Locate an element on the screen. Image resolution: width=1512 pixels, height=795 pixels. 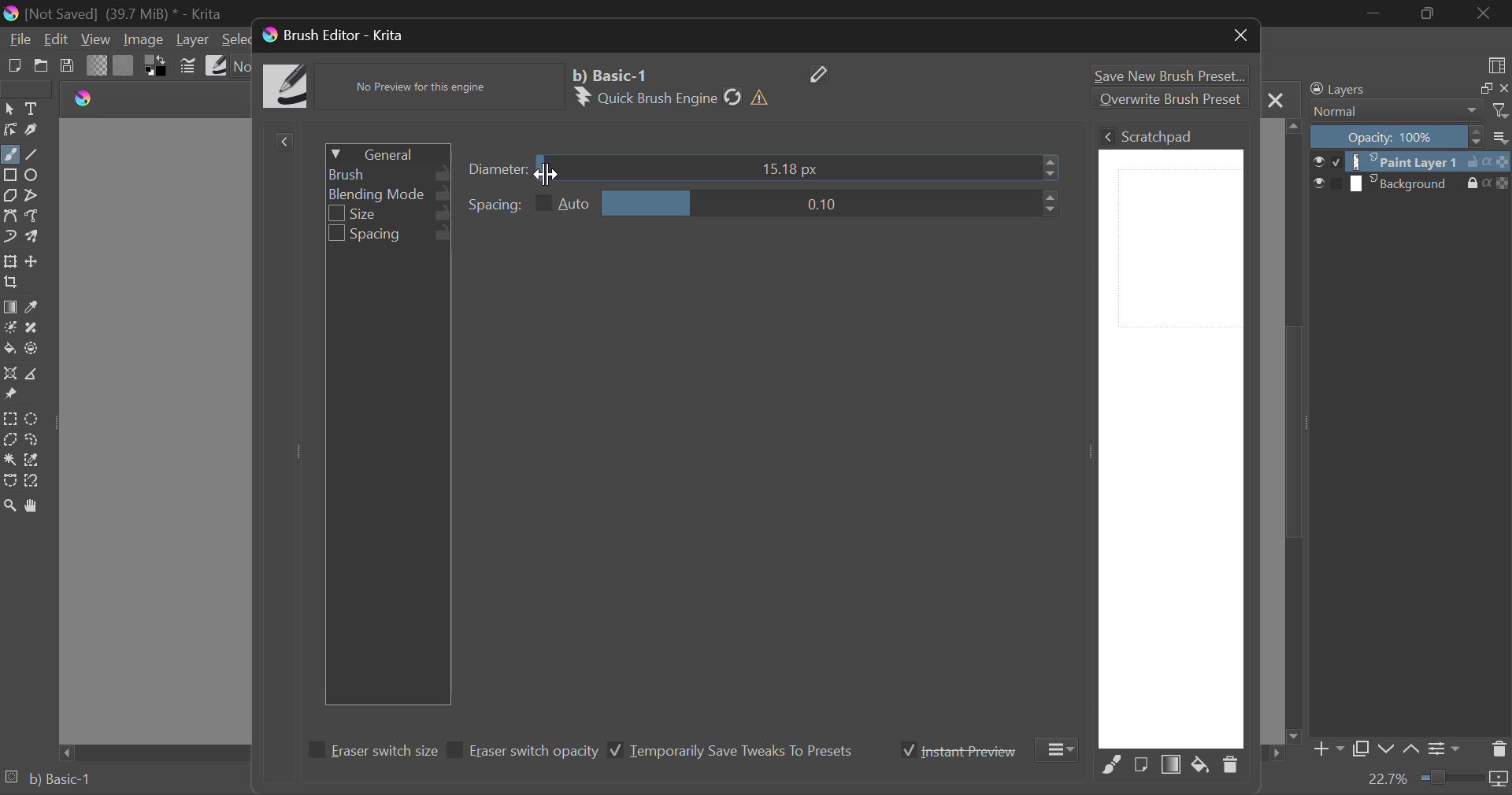
Brush Scratchpad is located at coordinates (1171, 436).